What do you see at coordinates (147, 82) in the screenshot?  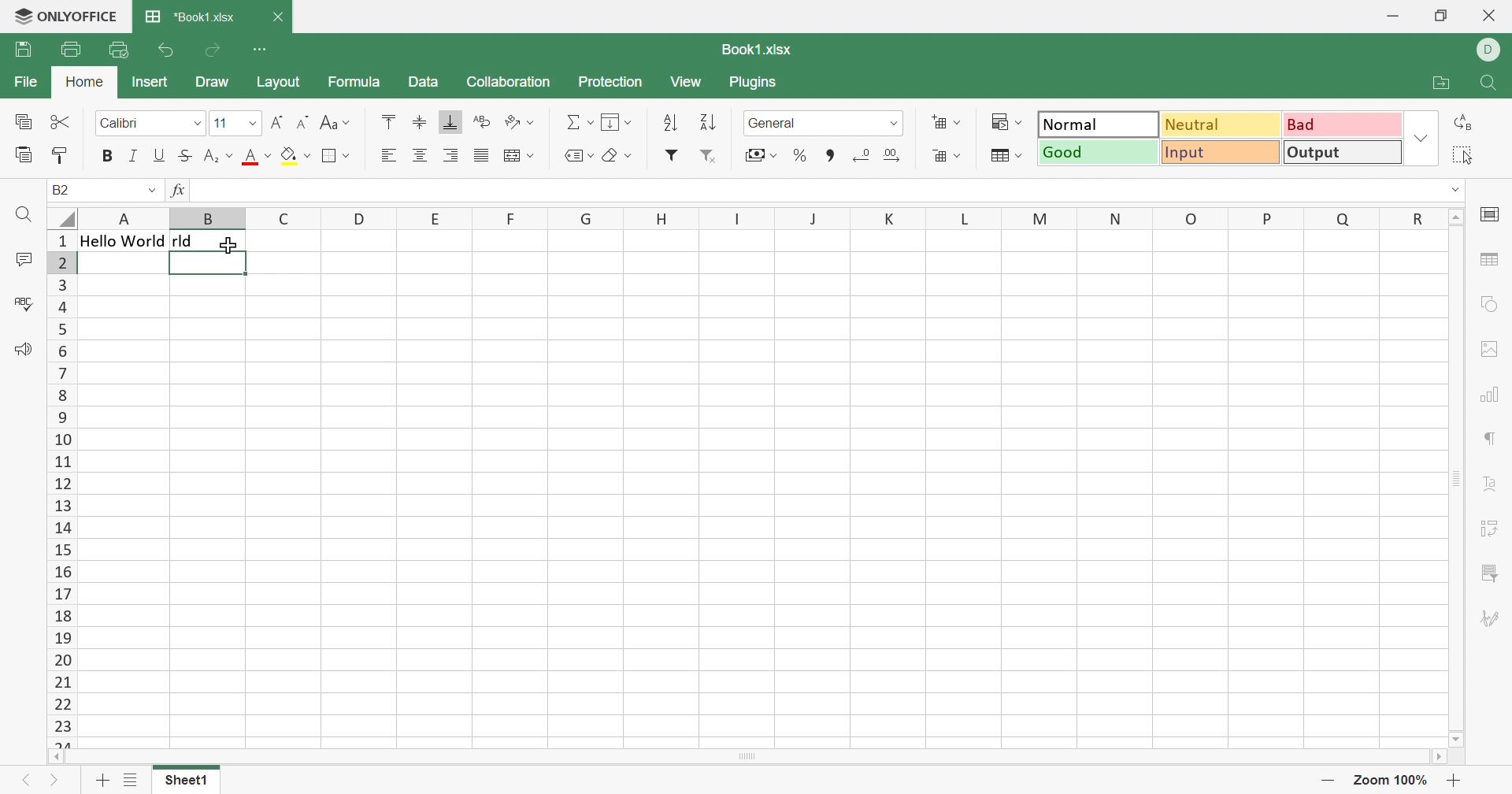 I see `Insert` at bounding box center [147, 82].